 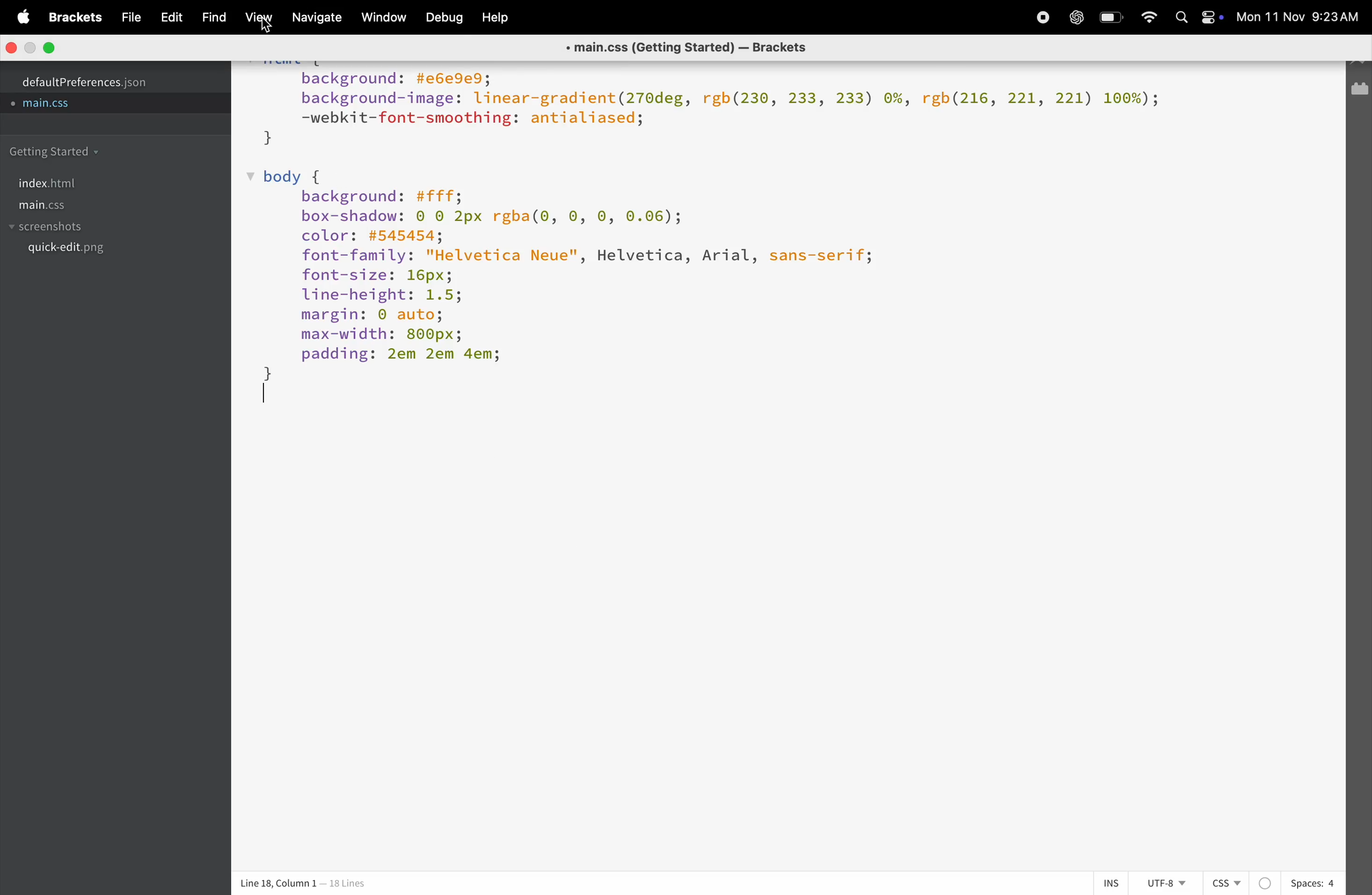 I want to click on record, so click(x=1039, y=17).